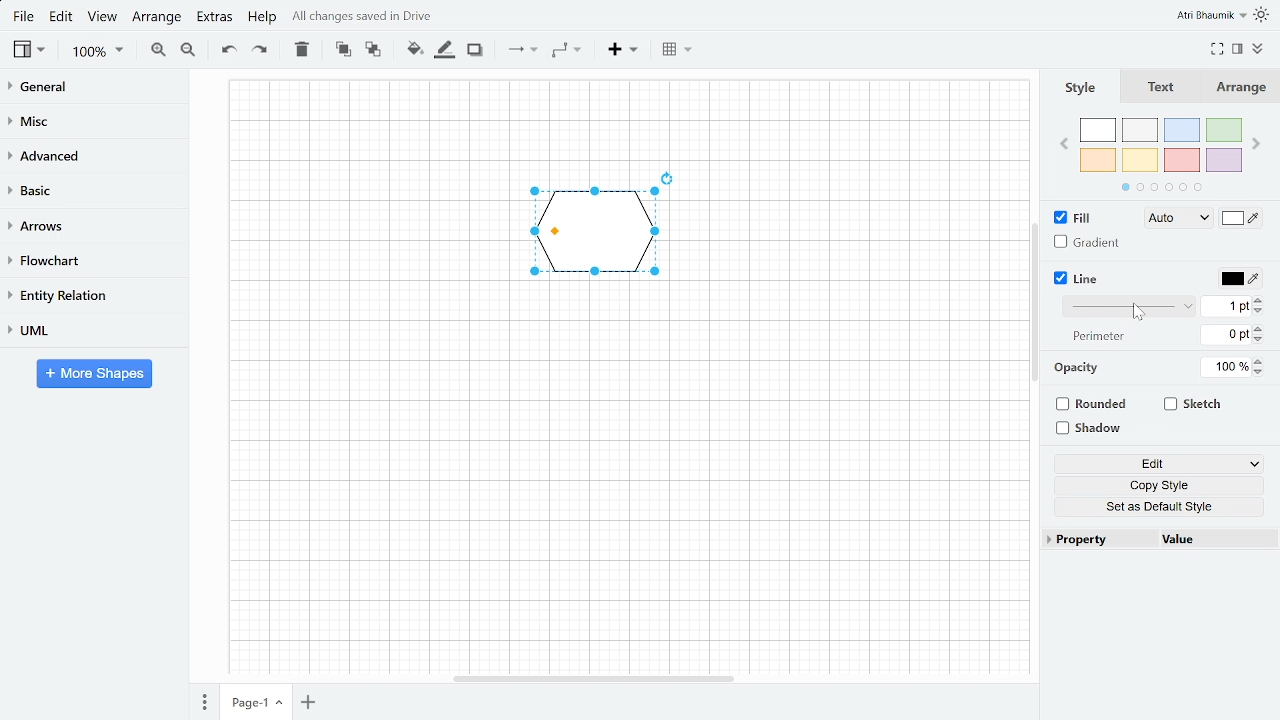 The image size is (1280, 720). What do you see at coordinates (188, 49) in the screenshot?
I see `Zoom out` at bounding box center [188, 49].